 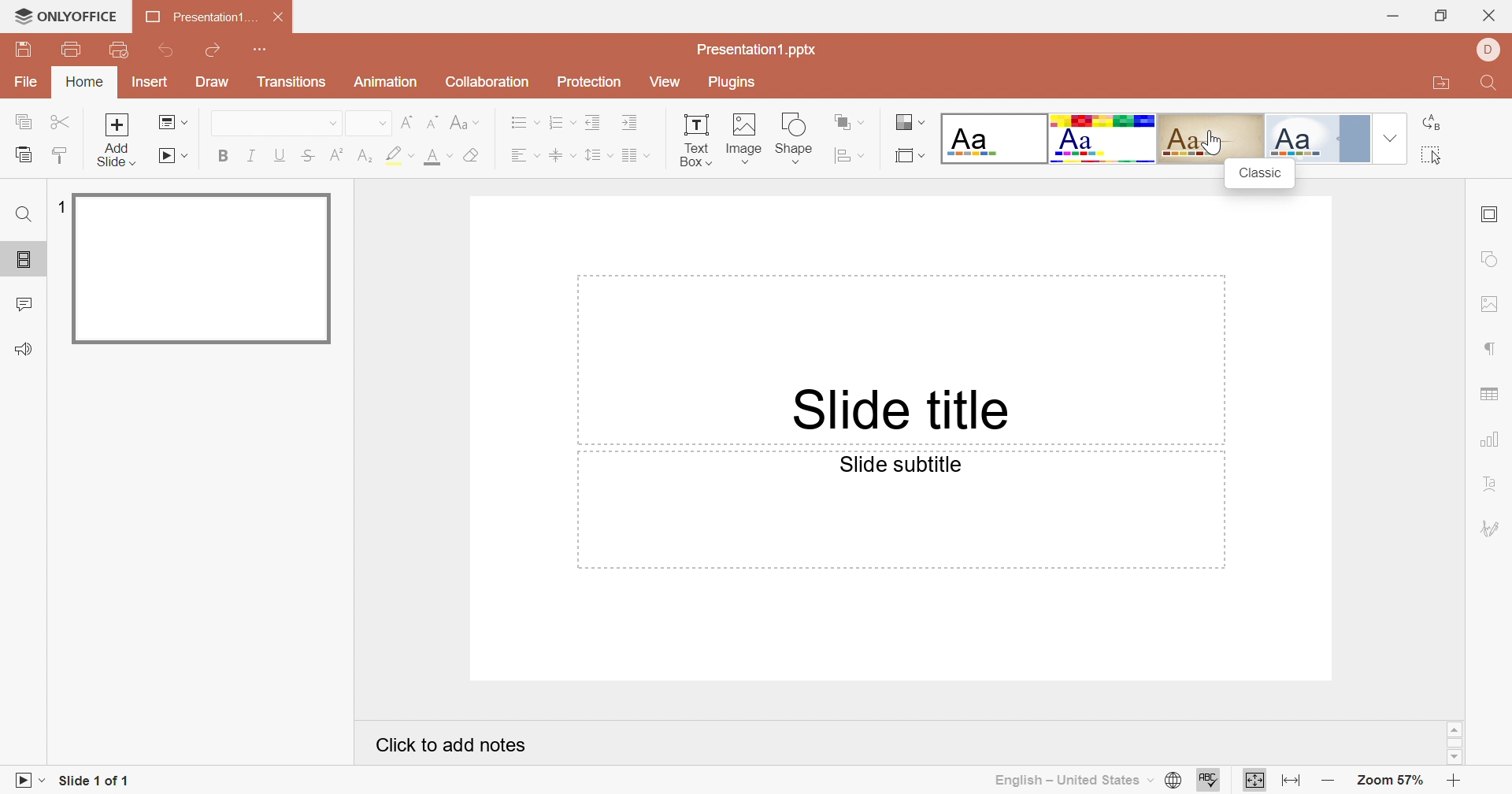 I want to click on Click to add notes, so click(x=451, y=743).